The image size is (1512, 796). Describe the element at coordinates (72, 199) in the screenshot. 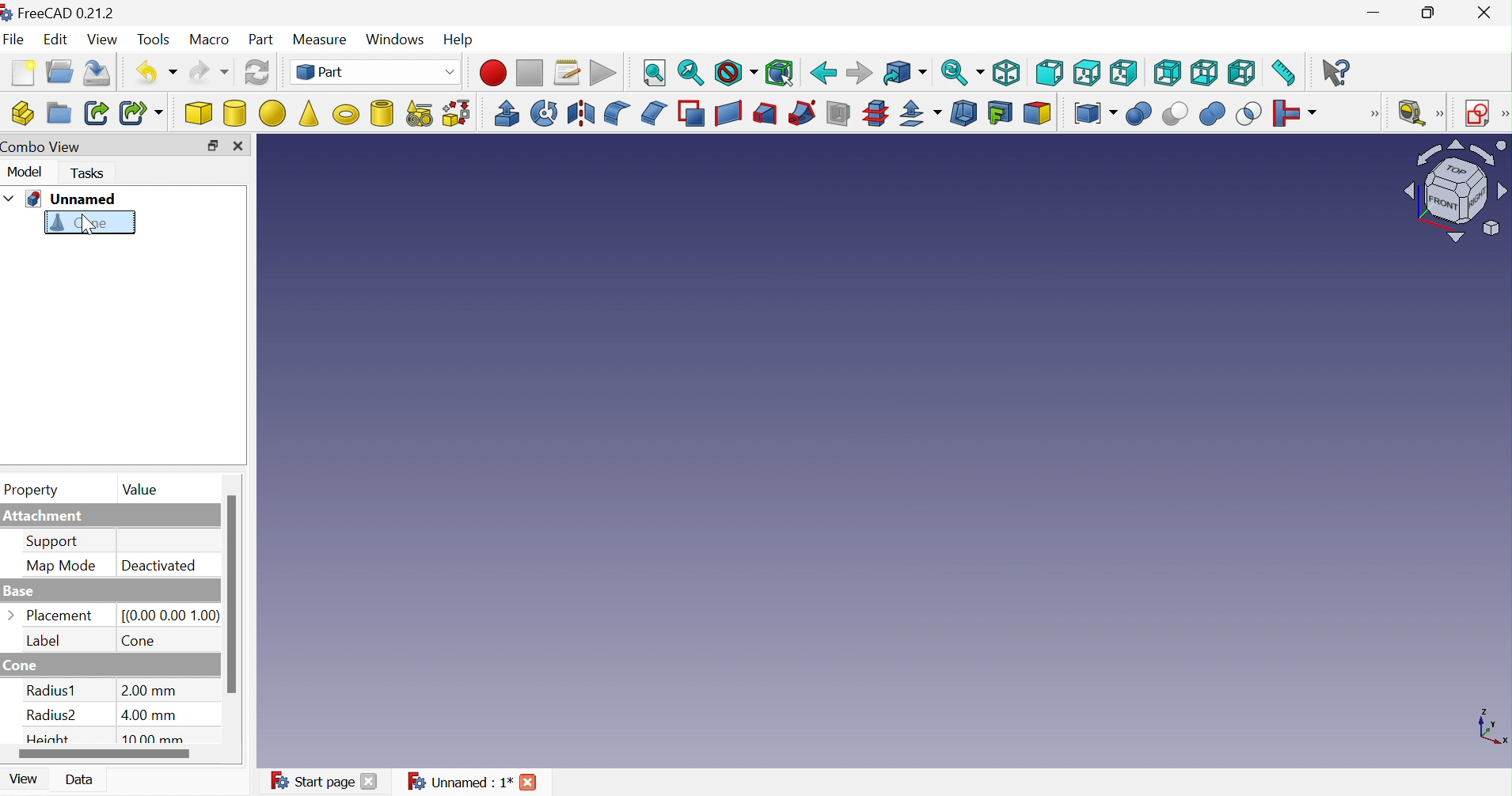

I see `Unnamed` at that location.